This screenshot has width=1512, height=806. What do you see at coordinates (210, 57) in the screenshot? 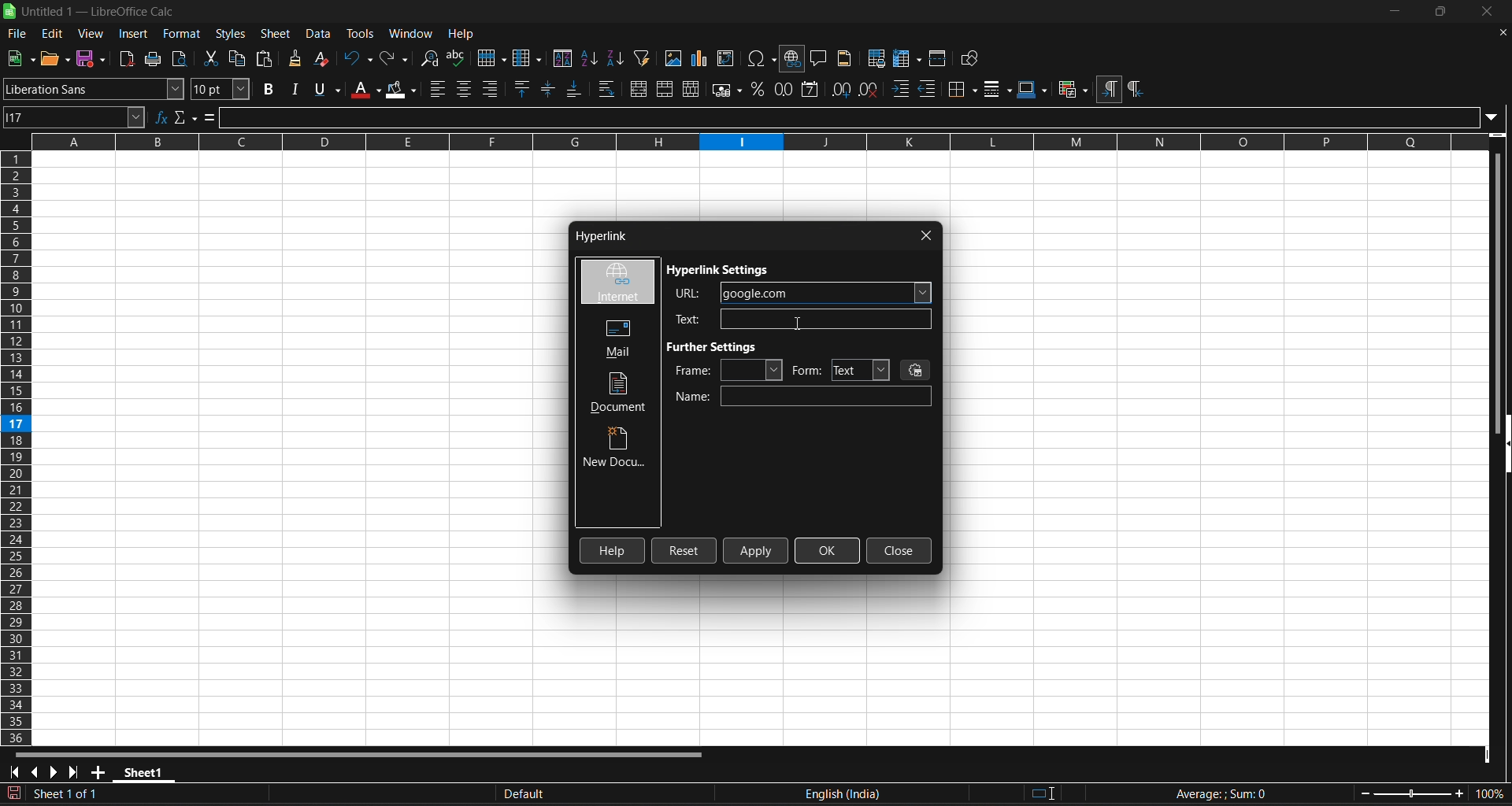
I see `cut` at bounding box center [210, 57].